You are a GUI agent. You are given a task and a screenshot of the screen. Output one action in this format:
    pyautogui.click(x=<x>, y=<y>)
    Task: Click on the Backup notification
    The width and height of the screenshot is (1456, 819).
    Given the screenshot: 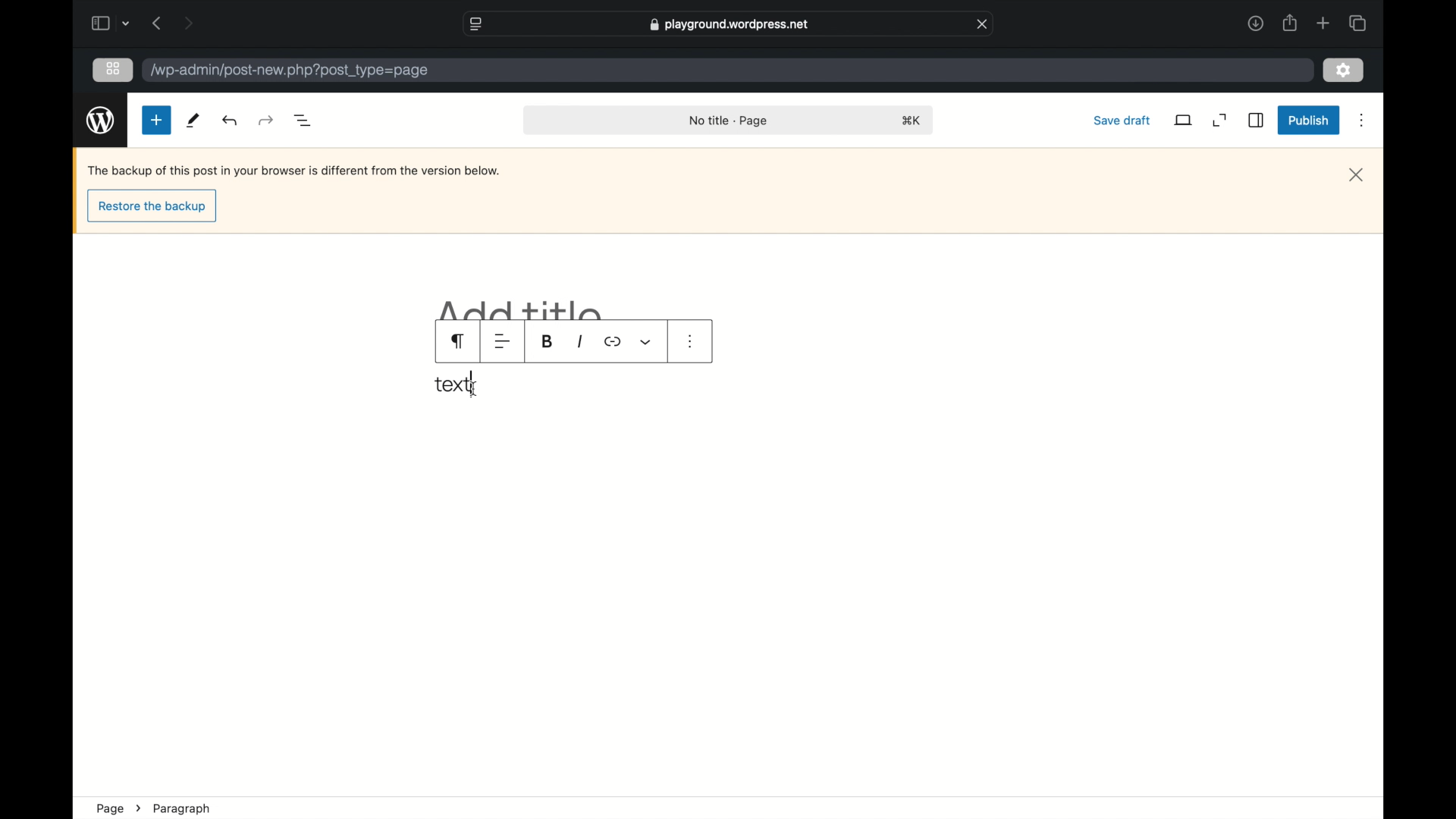 What is the action you would take?
    pyautogui.click(x=296, y=171)
    